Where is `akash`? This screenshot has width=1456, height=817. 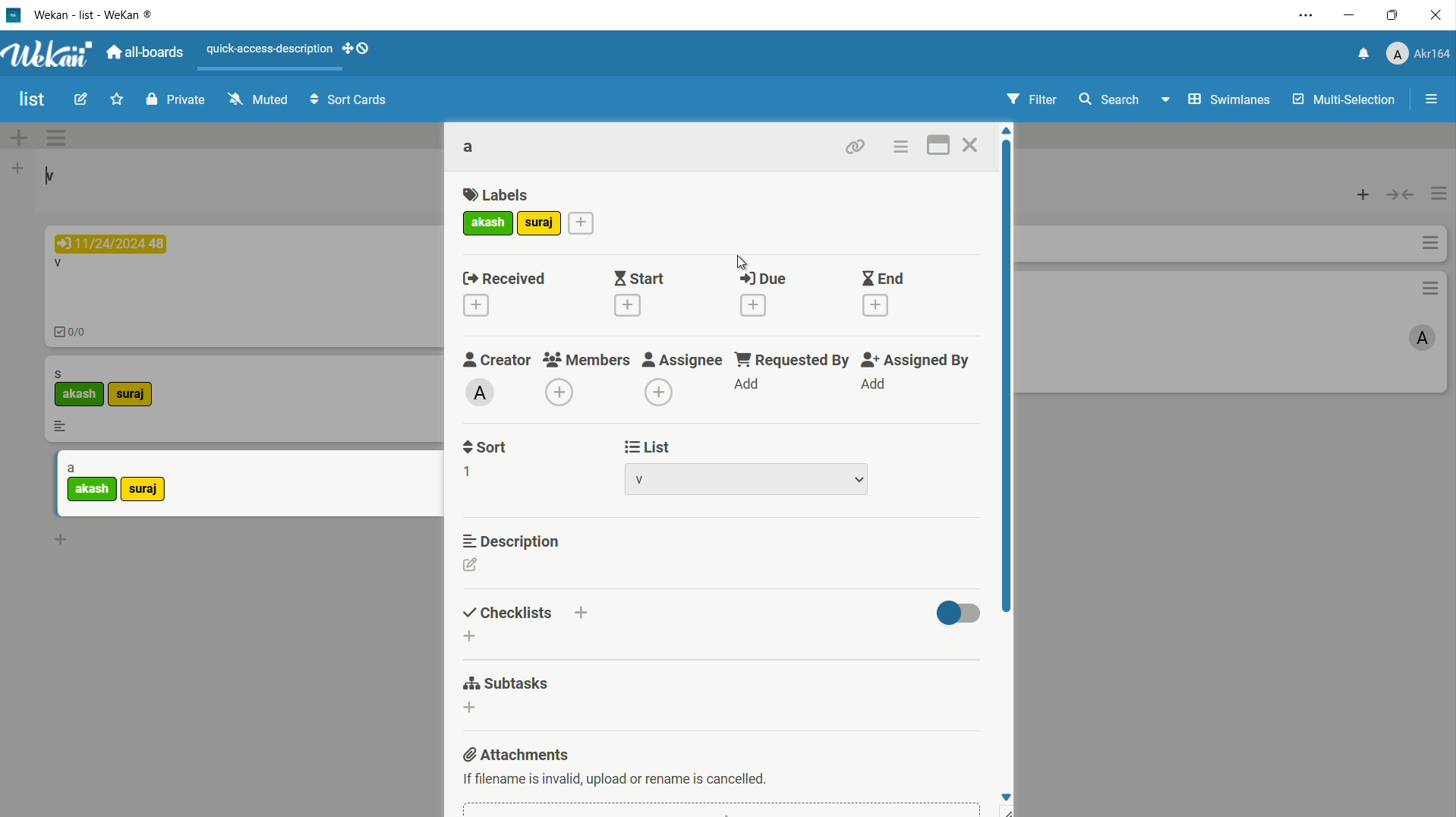
akash is located at coordinates (90, 491).